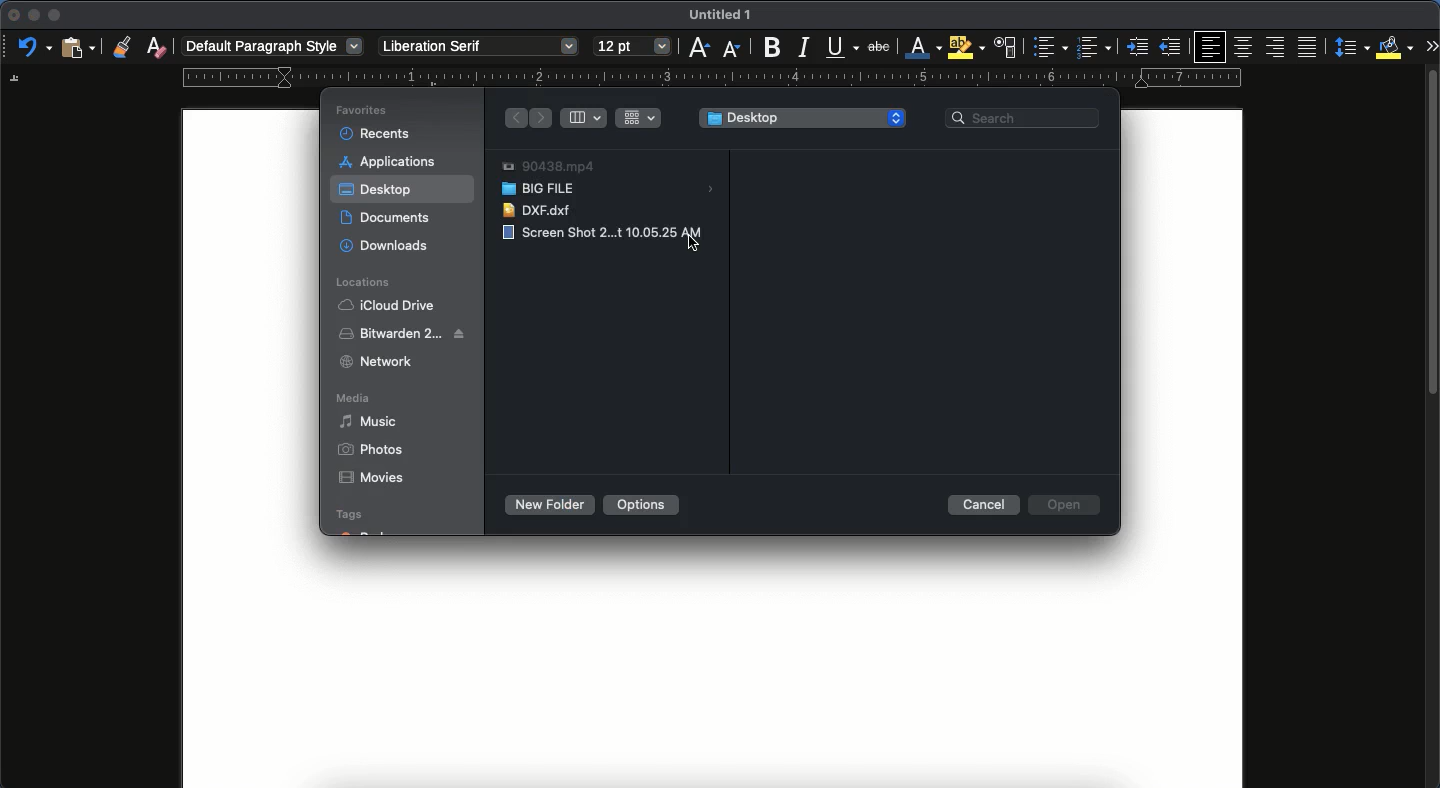 Image resolution: width=1440 pixels, height=788 pixels. I want to click on desktop, so click(378, 192).